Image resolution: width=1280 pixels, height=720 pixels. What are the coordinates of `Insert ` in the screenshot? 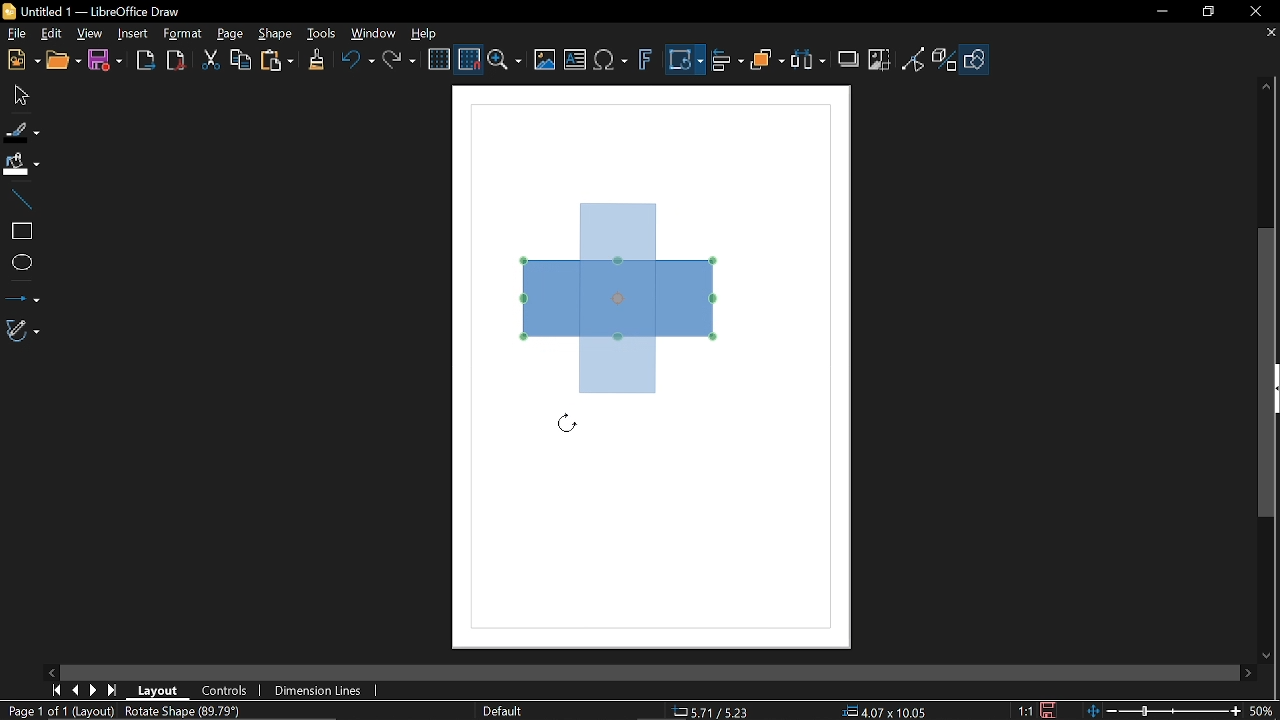 It's located at (132, 35).